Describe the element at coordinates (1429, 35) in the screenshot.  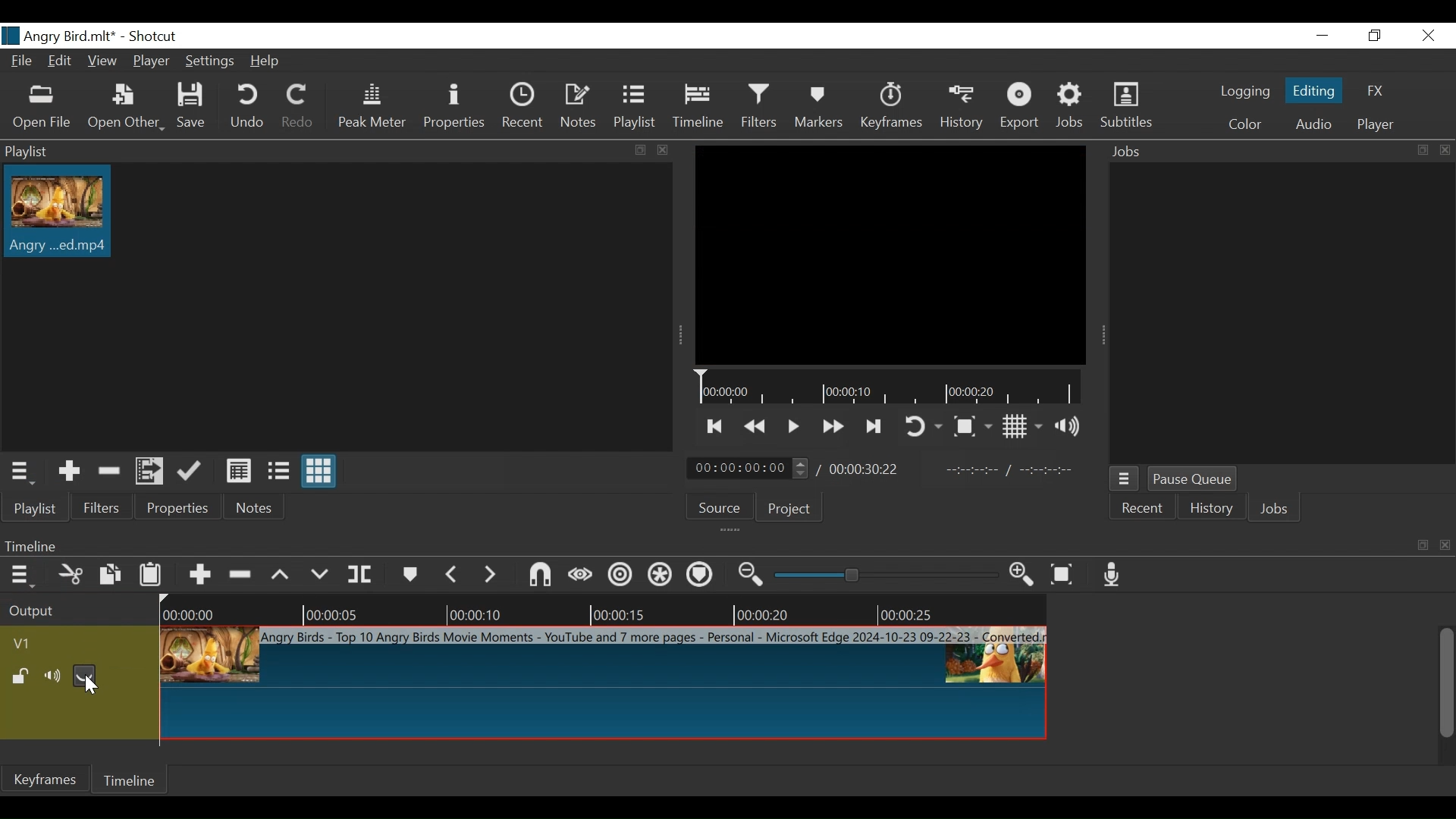
I see `close` at that location.